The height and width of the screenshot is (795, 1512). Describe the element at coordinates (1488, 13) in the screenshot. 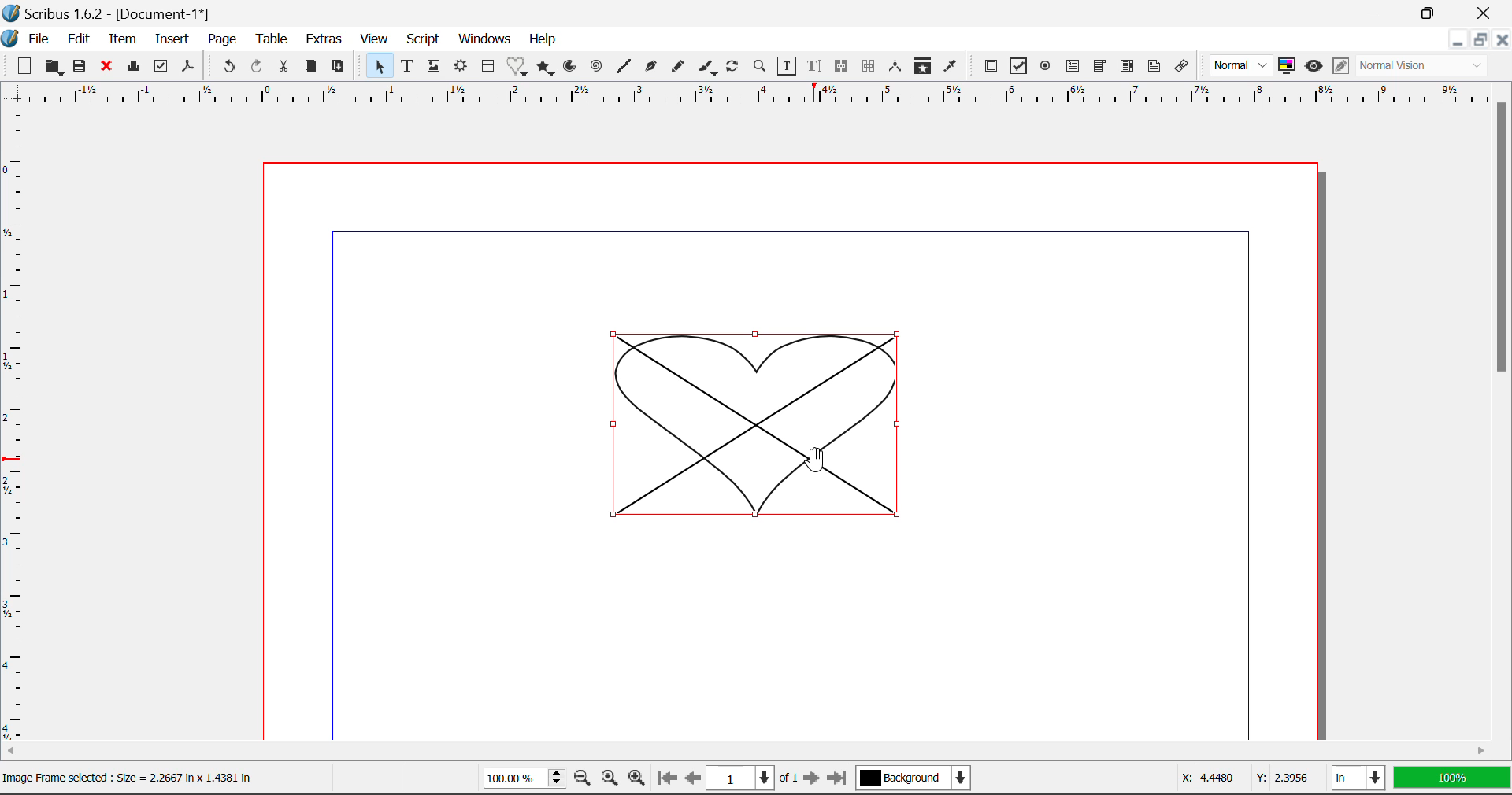

I see `Close` at that location.